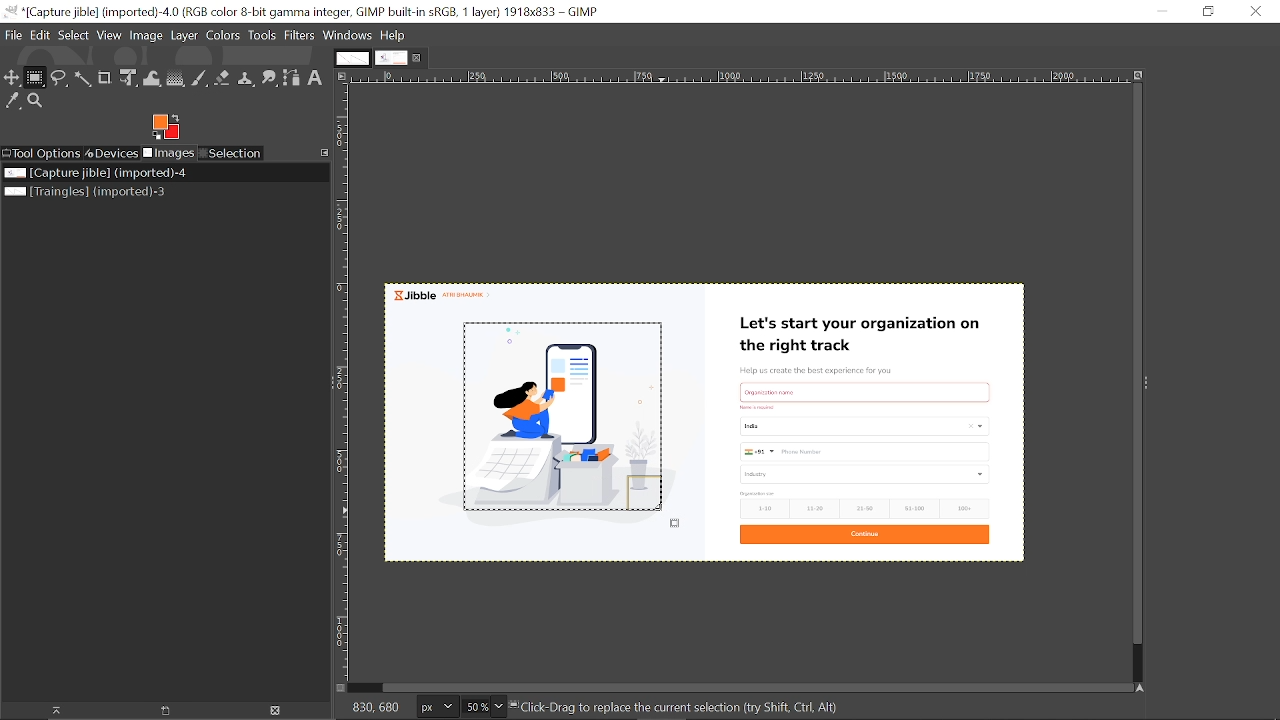  What do you see at coordinates (82, 79) in the screenshot?
I see `Fuzzy select tool` at bounding box center [82, 79].